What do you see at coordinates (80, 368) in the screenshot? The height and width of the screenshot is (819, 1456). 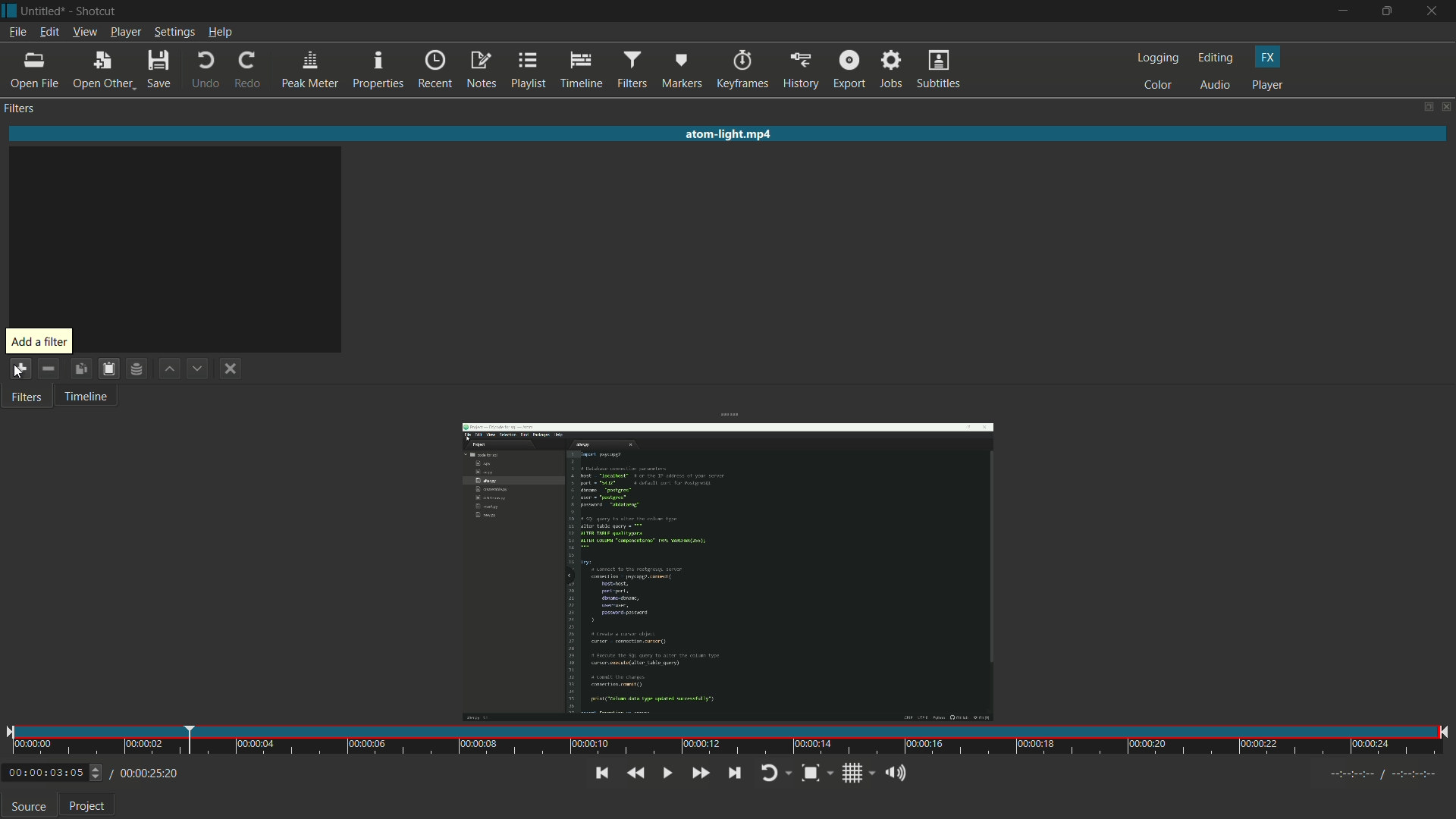 I see `copy checked filters` at bounding box center [80, 368].